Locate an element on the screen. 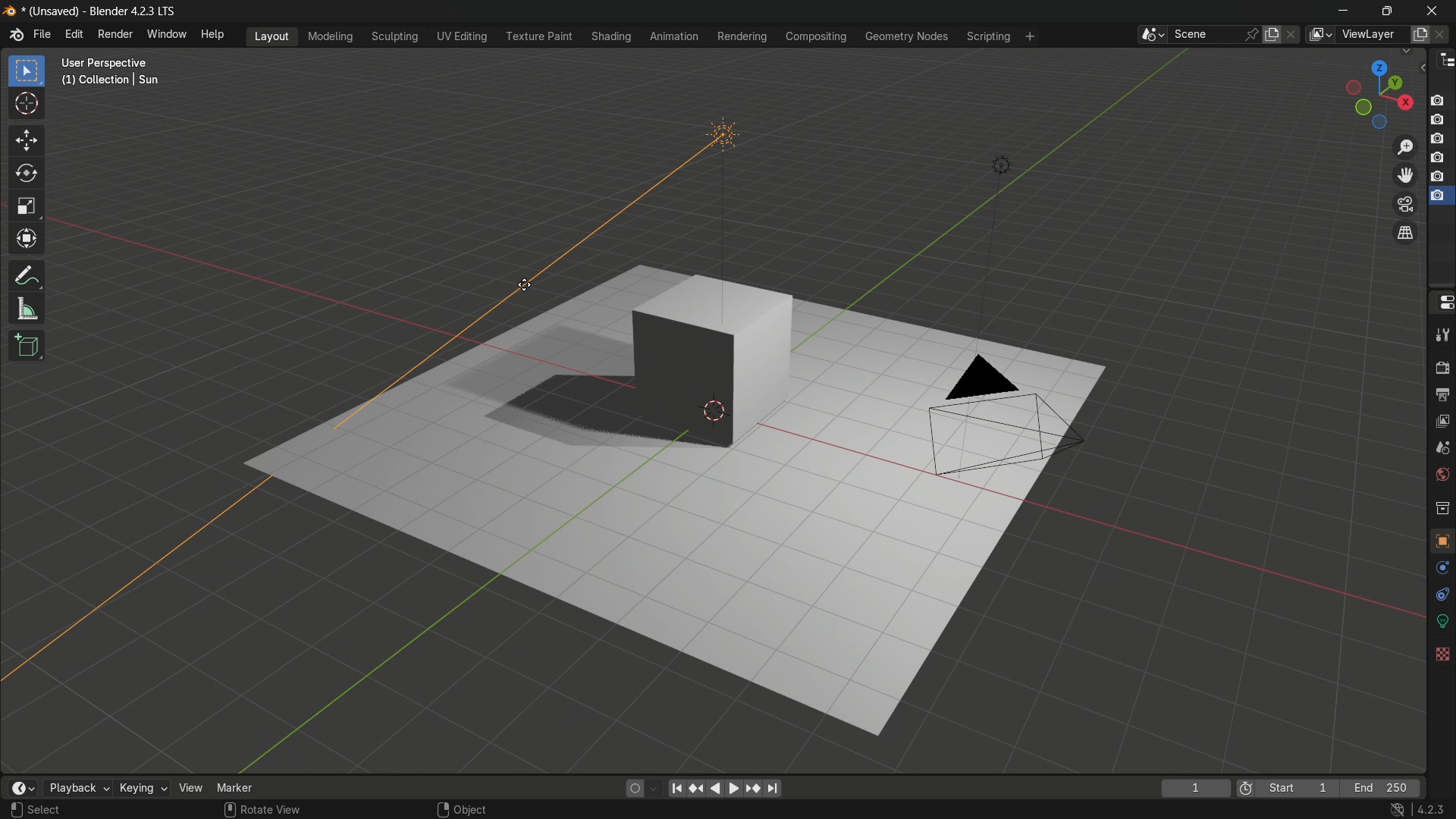  help menu is located at coordinates (212, 34).